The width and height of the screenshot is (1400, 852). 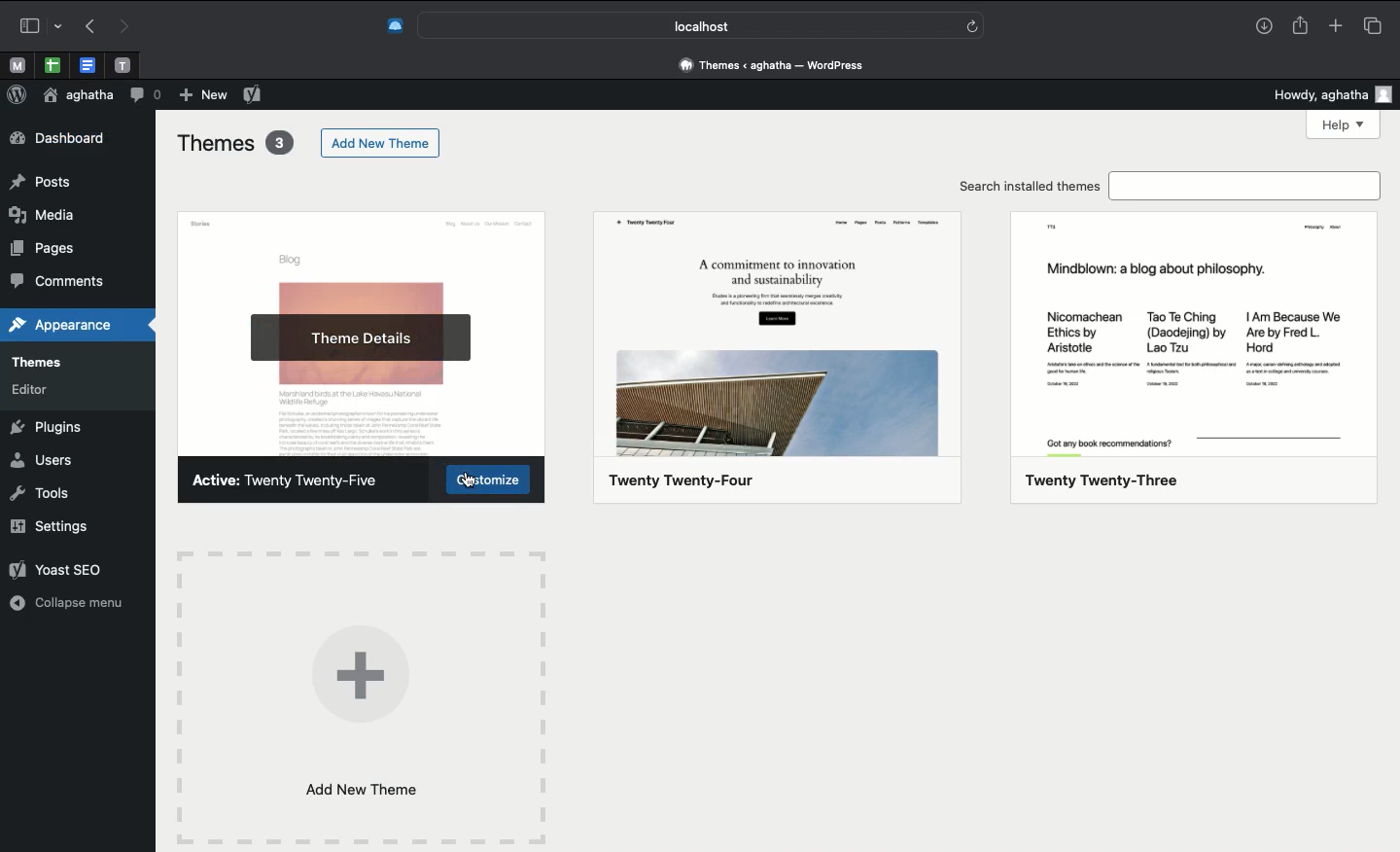 I want to click on Add new theme, so click(x=379, y=142).